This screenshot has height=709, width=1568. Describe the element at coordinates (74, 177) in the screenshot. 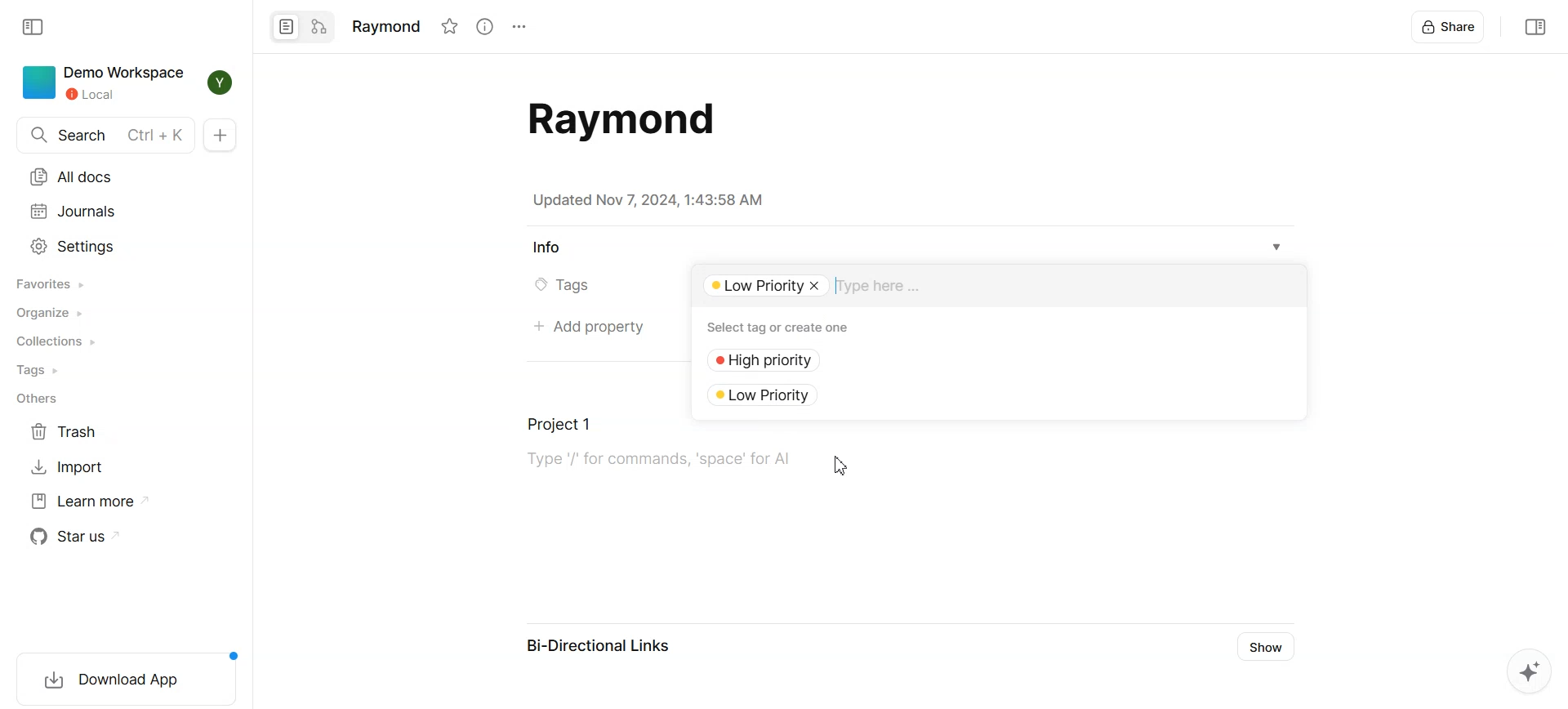

I see `All docs` at that location.